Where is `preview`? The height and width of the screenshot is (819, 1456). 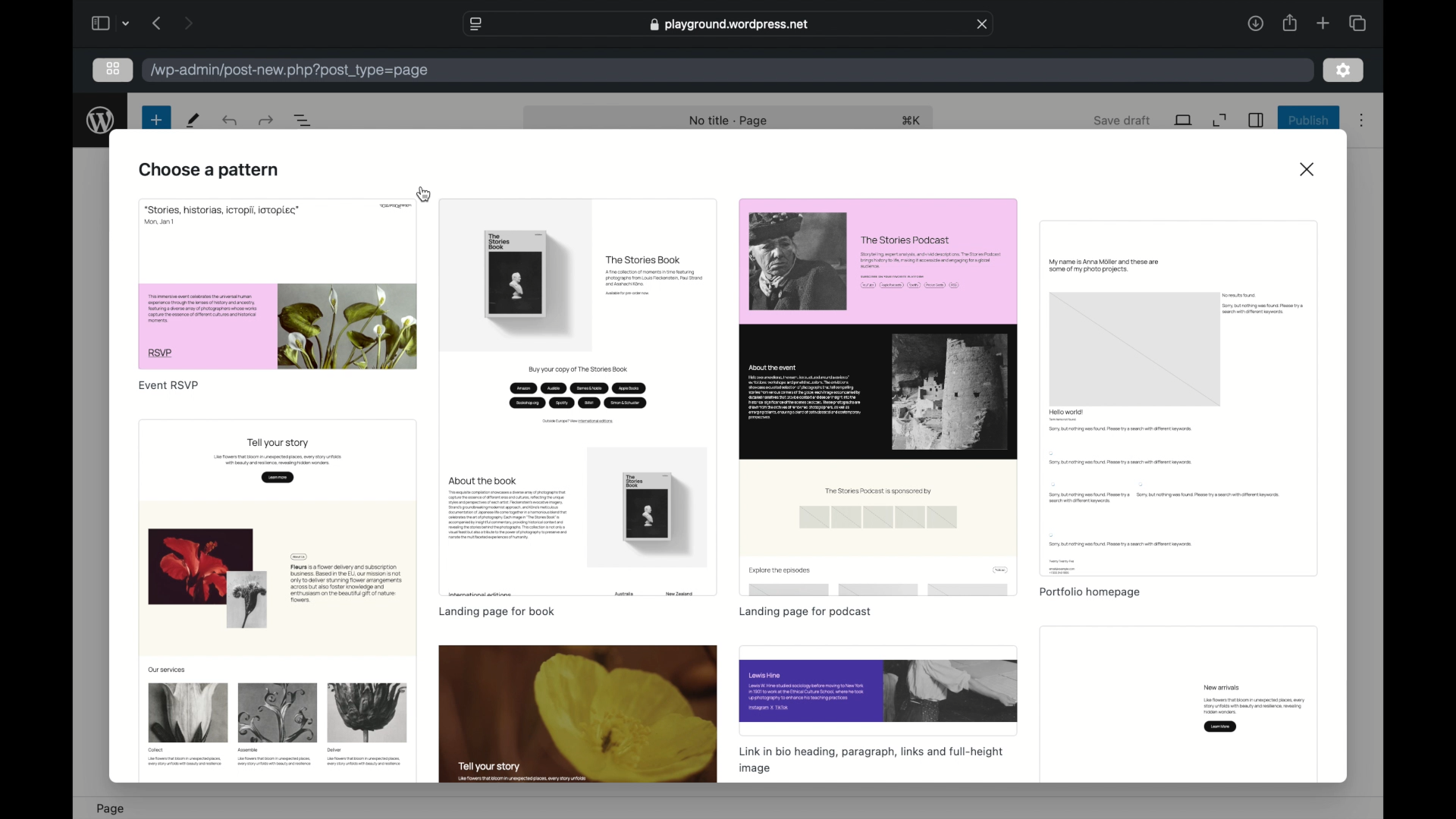
preview is located at coordinates (577, 399).